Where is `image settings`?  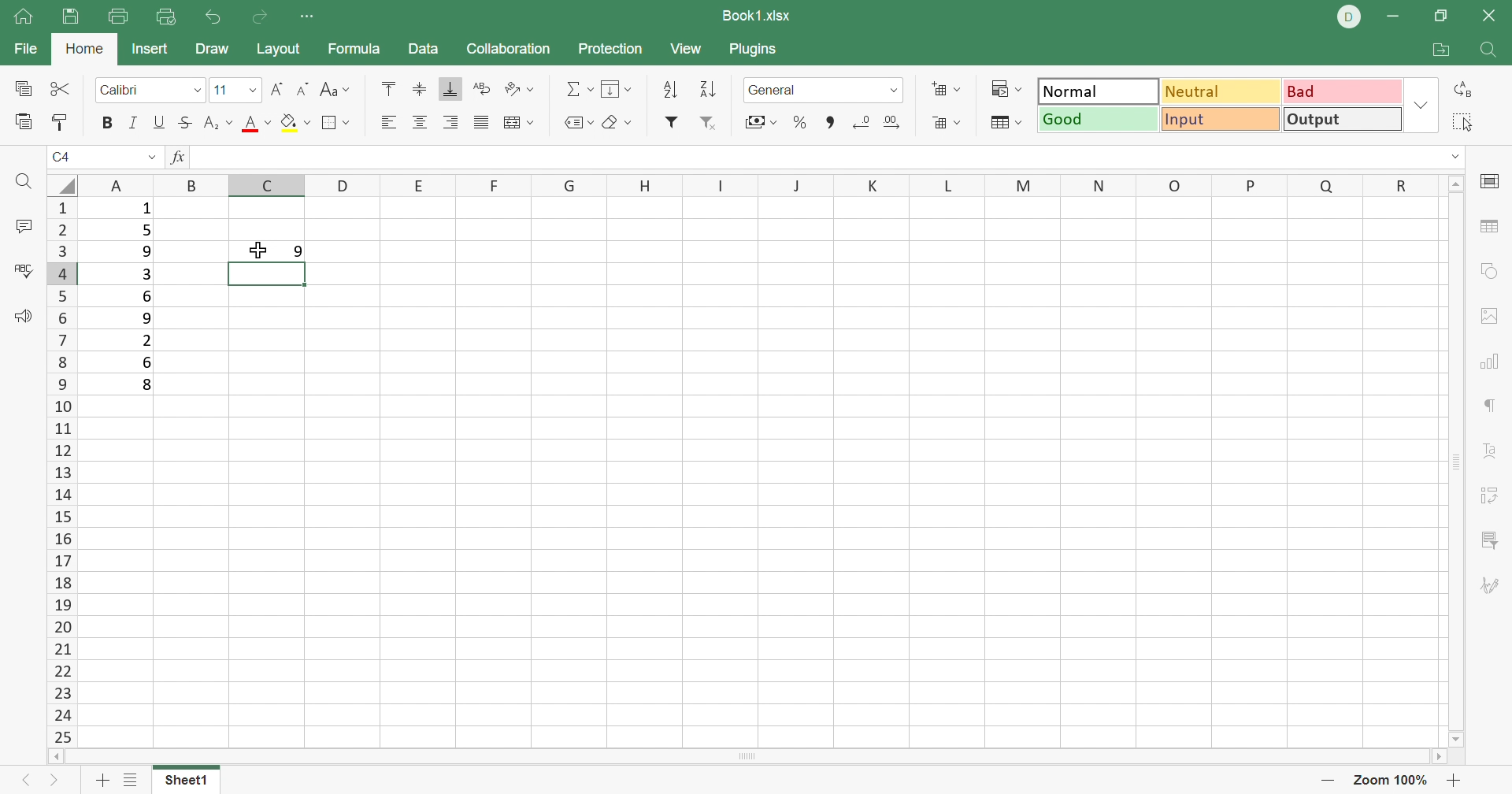
image settings is located at coordinates (1488, 317).